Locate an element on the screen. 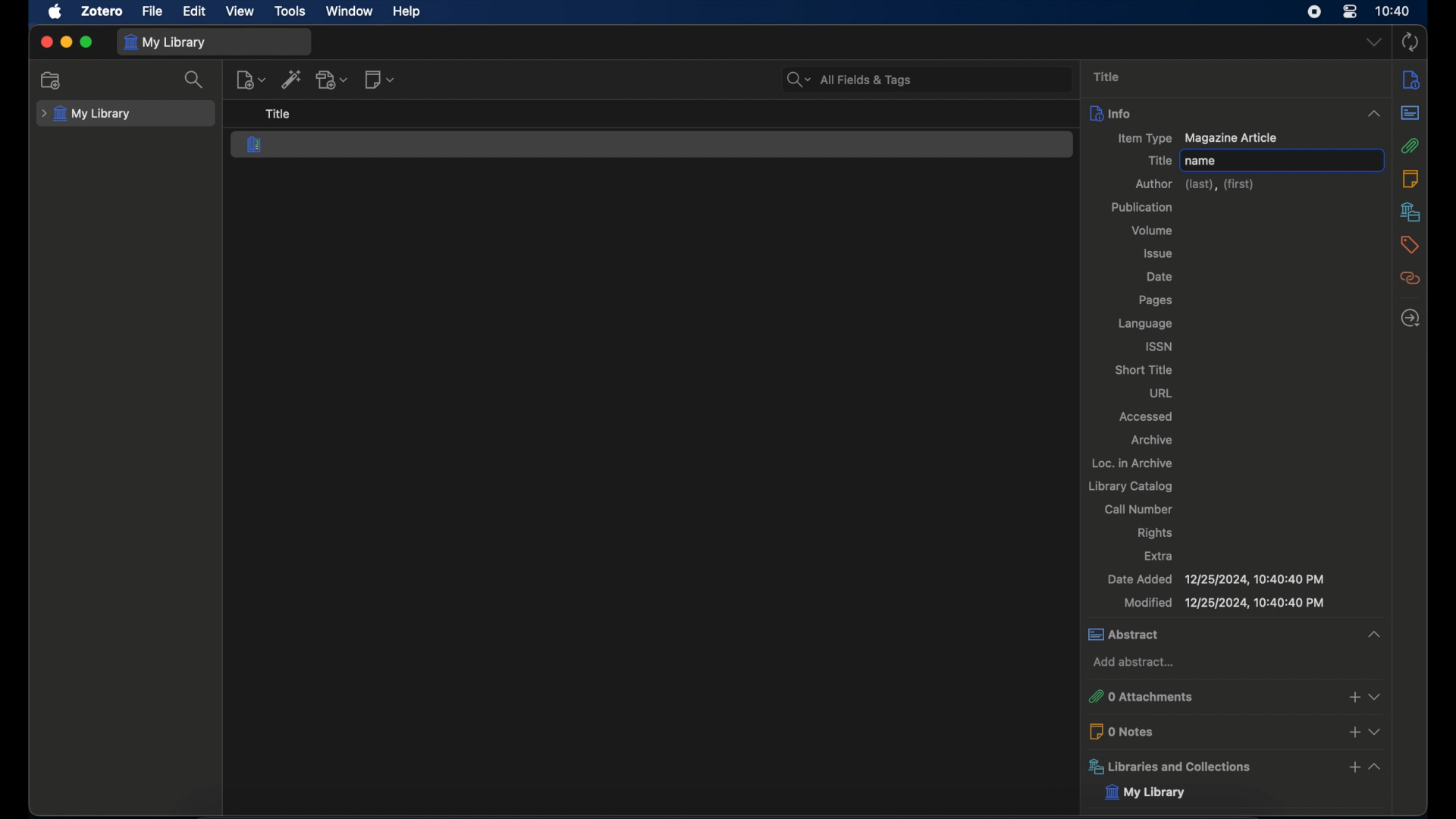 This screenshot has width=1456, height=819. name is located at coordinates (1200, 161).